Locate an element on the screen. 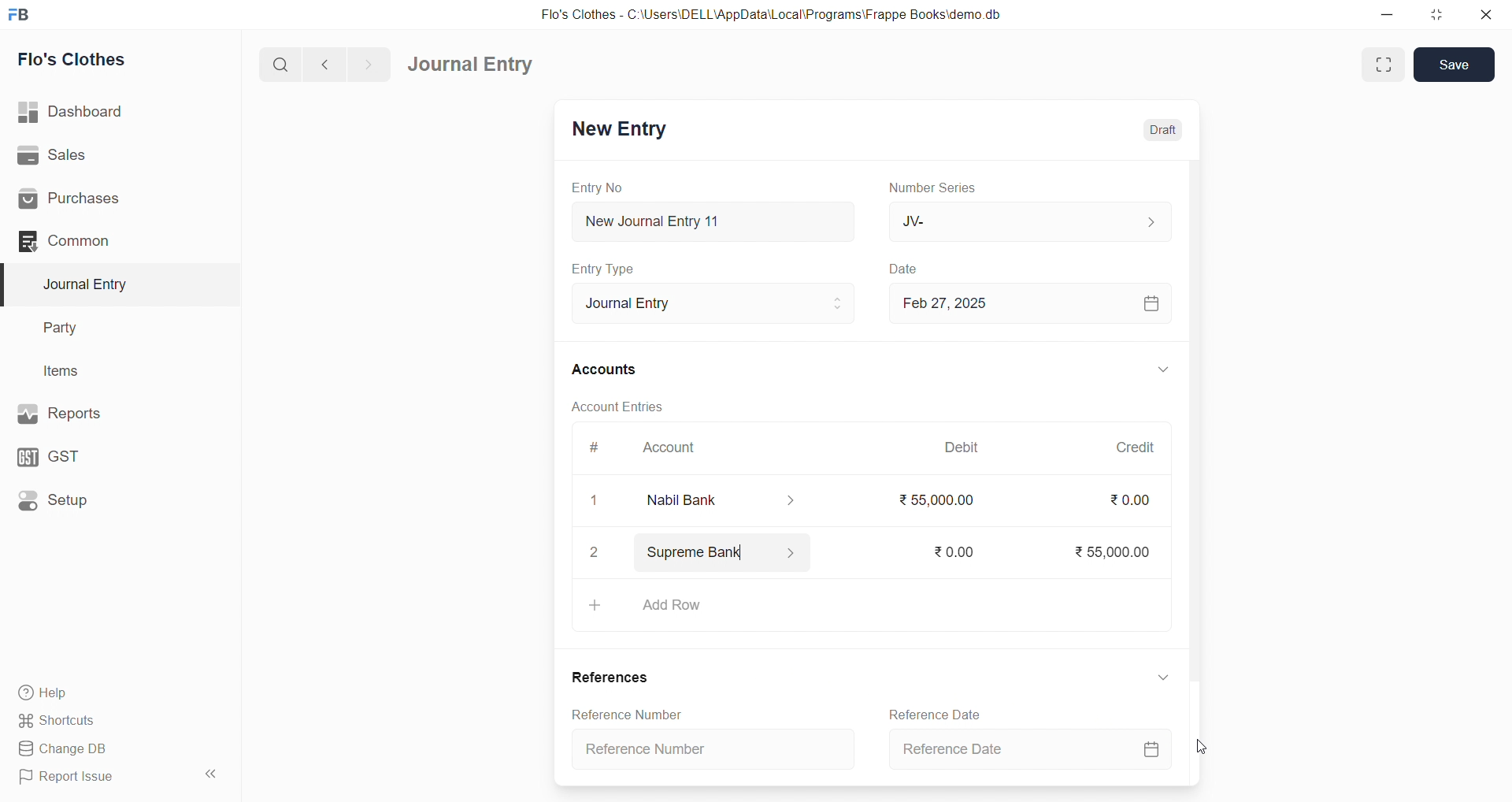 The width and height of the screenshot is (1512, 802). ₹0.00 is located at coordinates (1132, 500).